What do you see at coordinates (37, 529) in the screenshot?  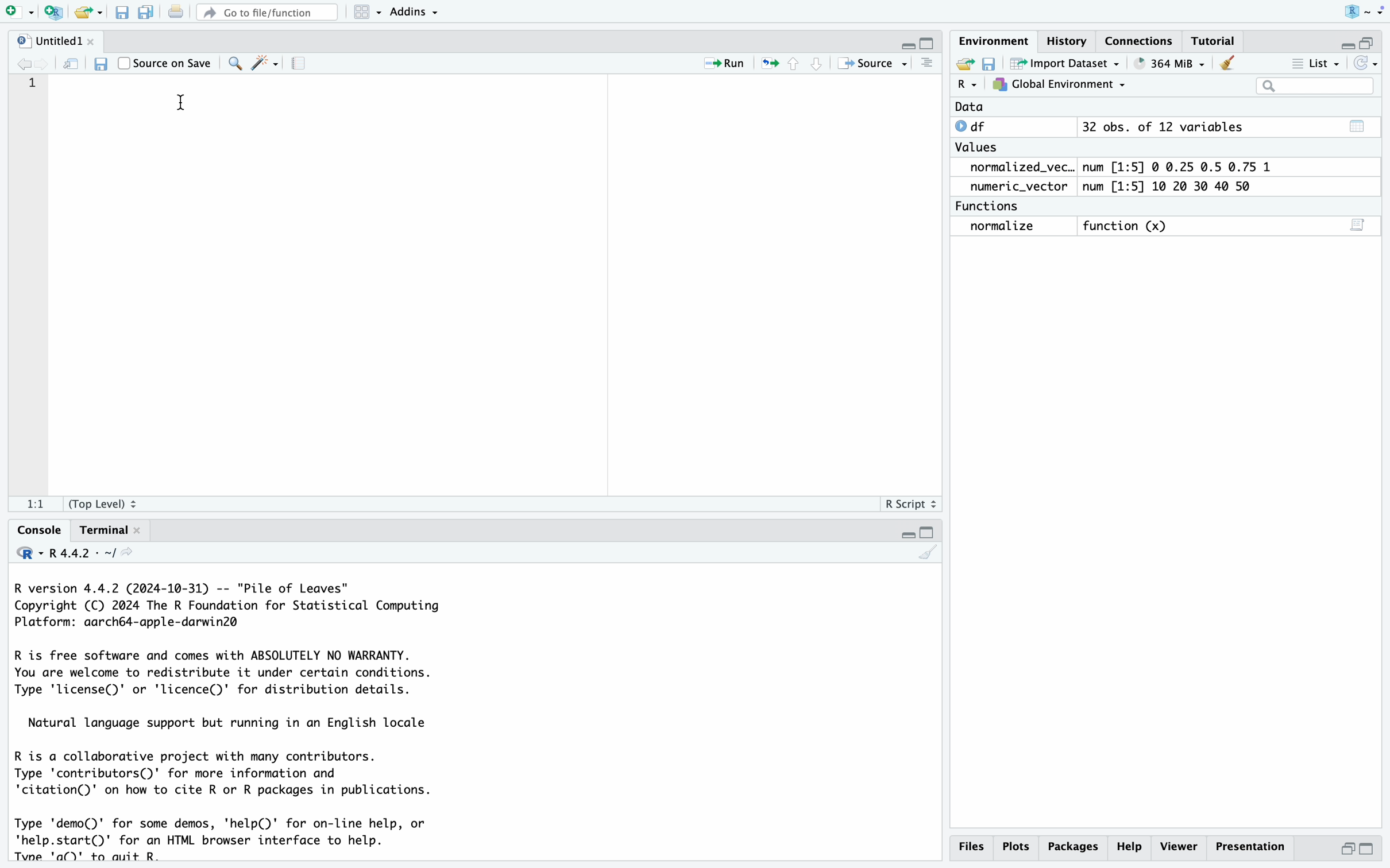 I see `Console` at bounding box center [37, 529].